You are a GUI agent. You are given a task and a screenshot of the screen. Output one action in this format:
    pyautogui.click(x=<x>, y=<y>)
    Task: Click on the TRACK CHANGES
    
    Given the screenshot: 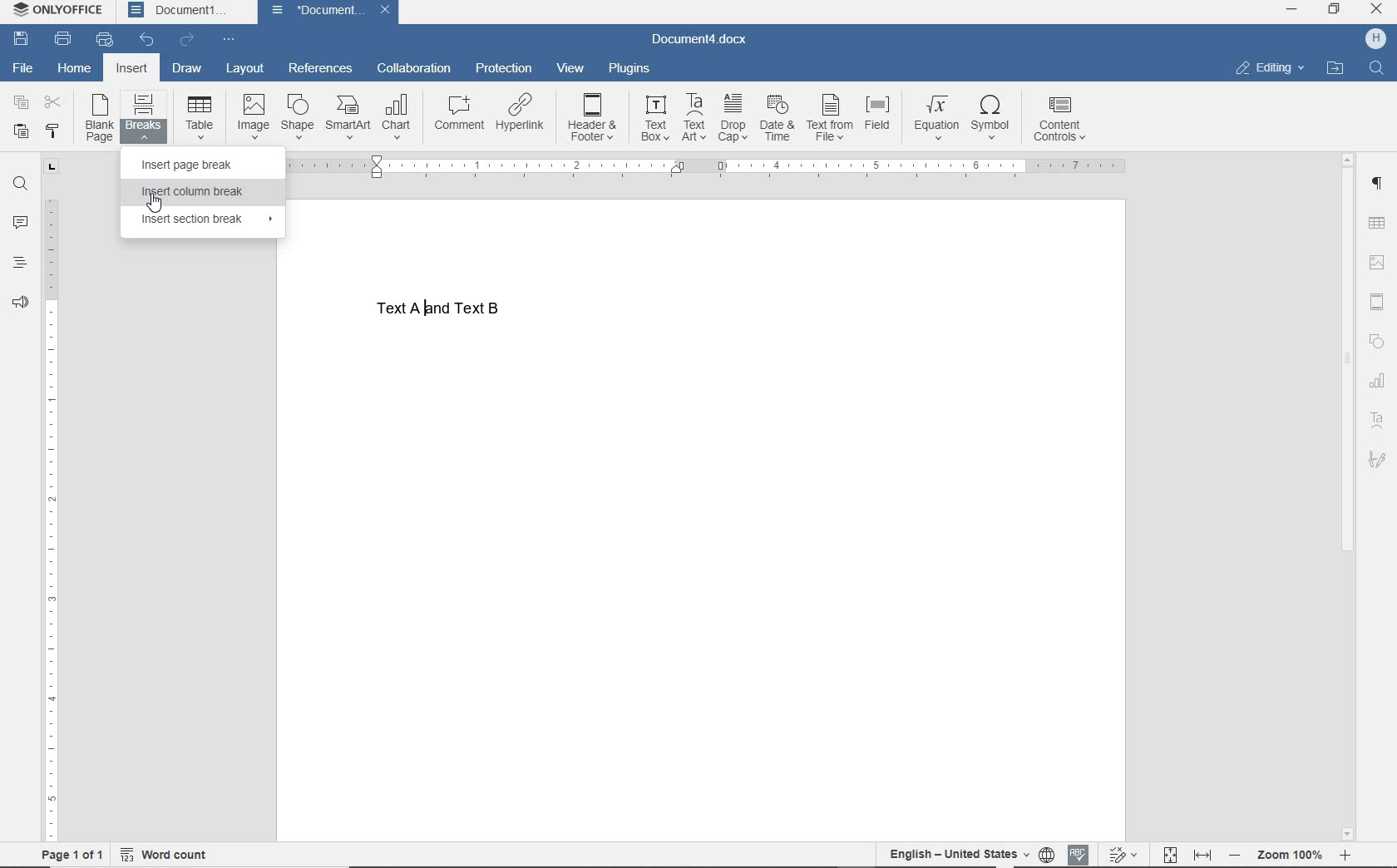 What is the action you would take?
    pyautogui.click(x=1122, y=854)
    